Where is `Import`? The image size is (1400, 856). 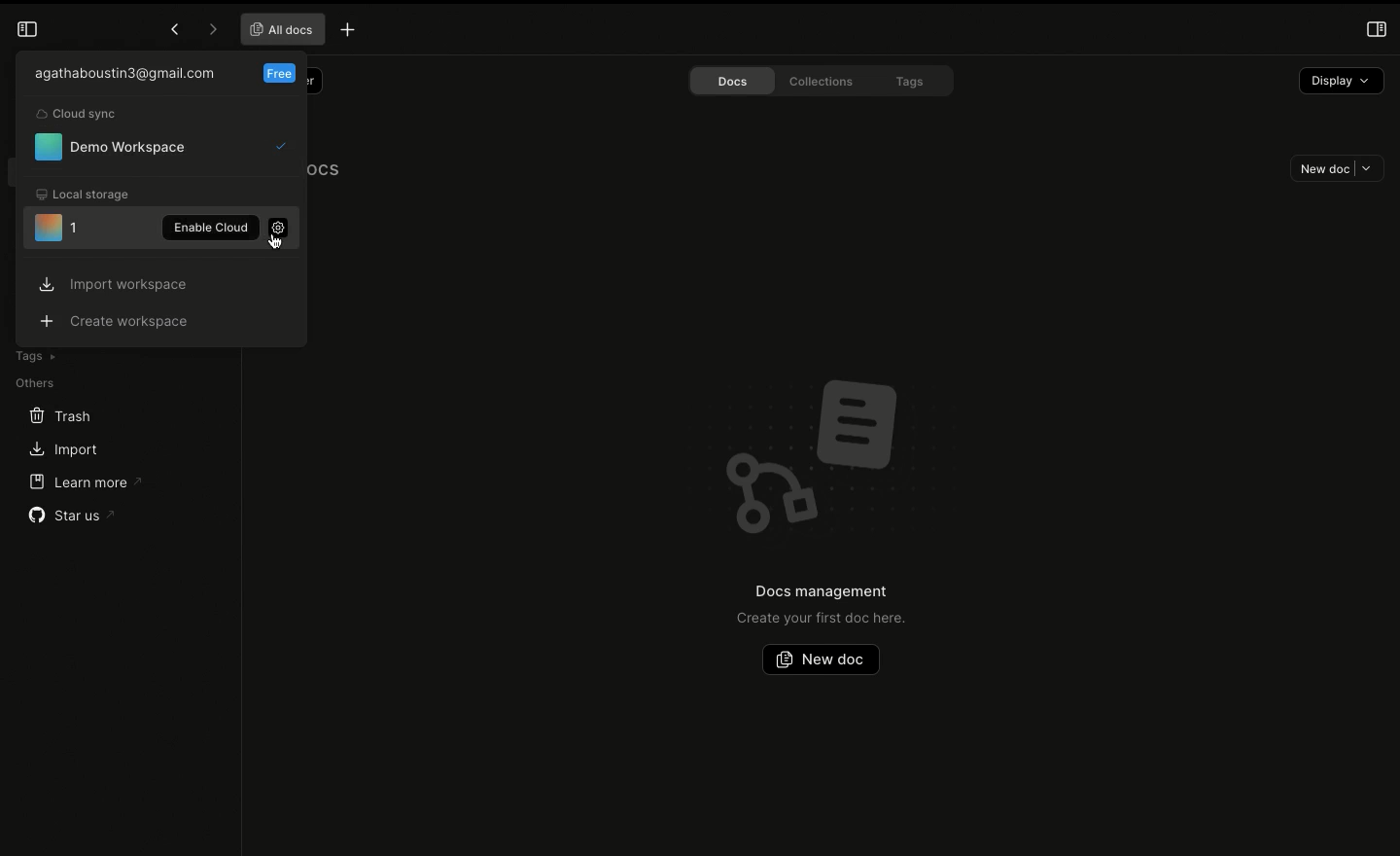
Import is located at coordinates (63, 450).